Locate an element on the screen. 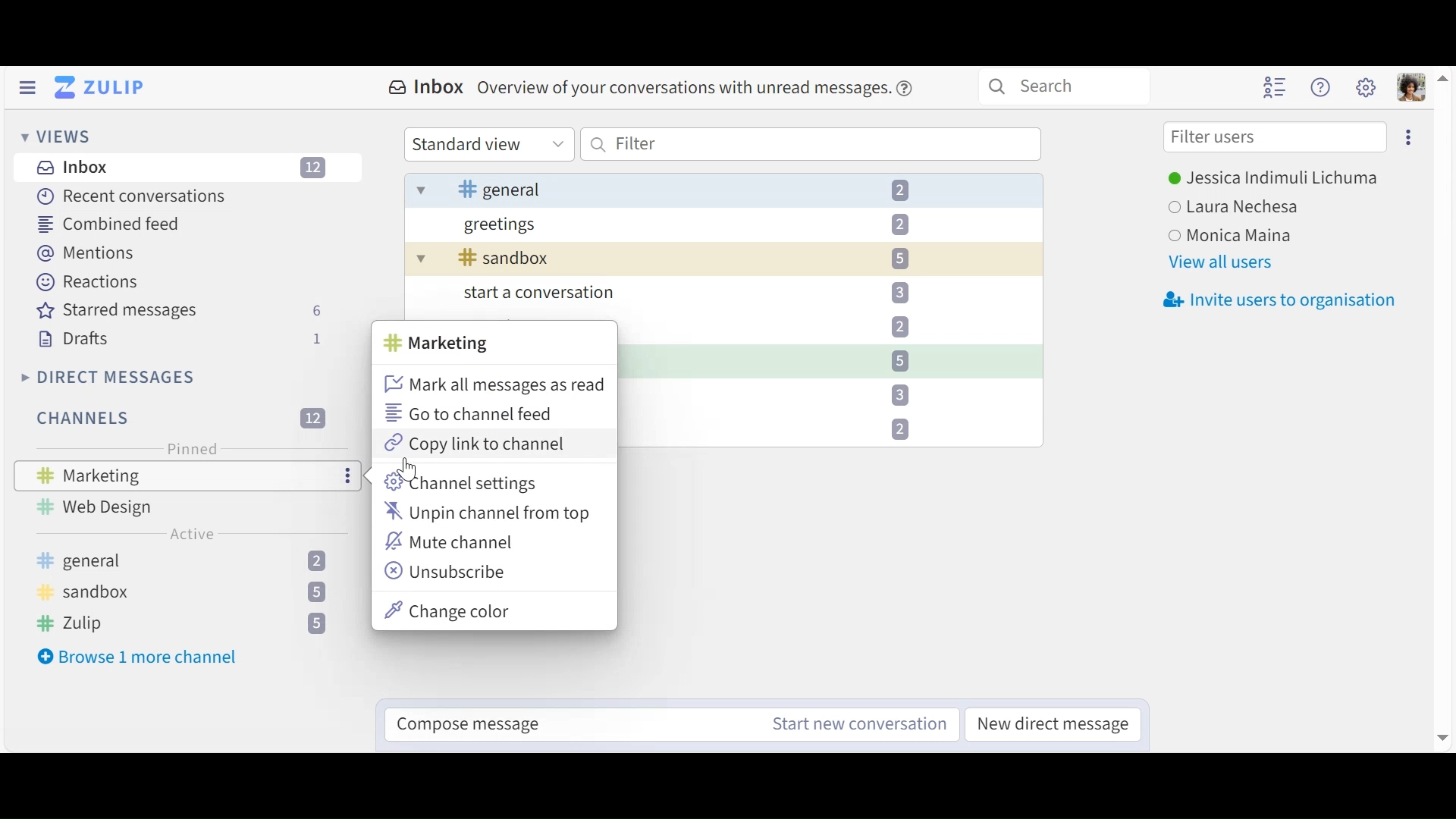 This screenshot has width=1456, height=819. Views is located at coordinates (55, 136).